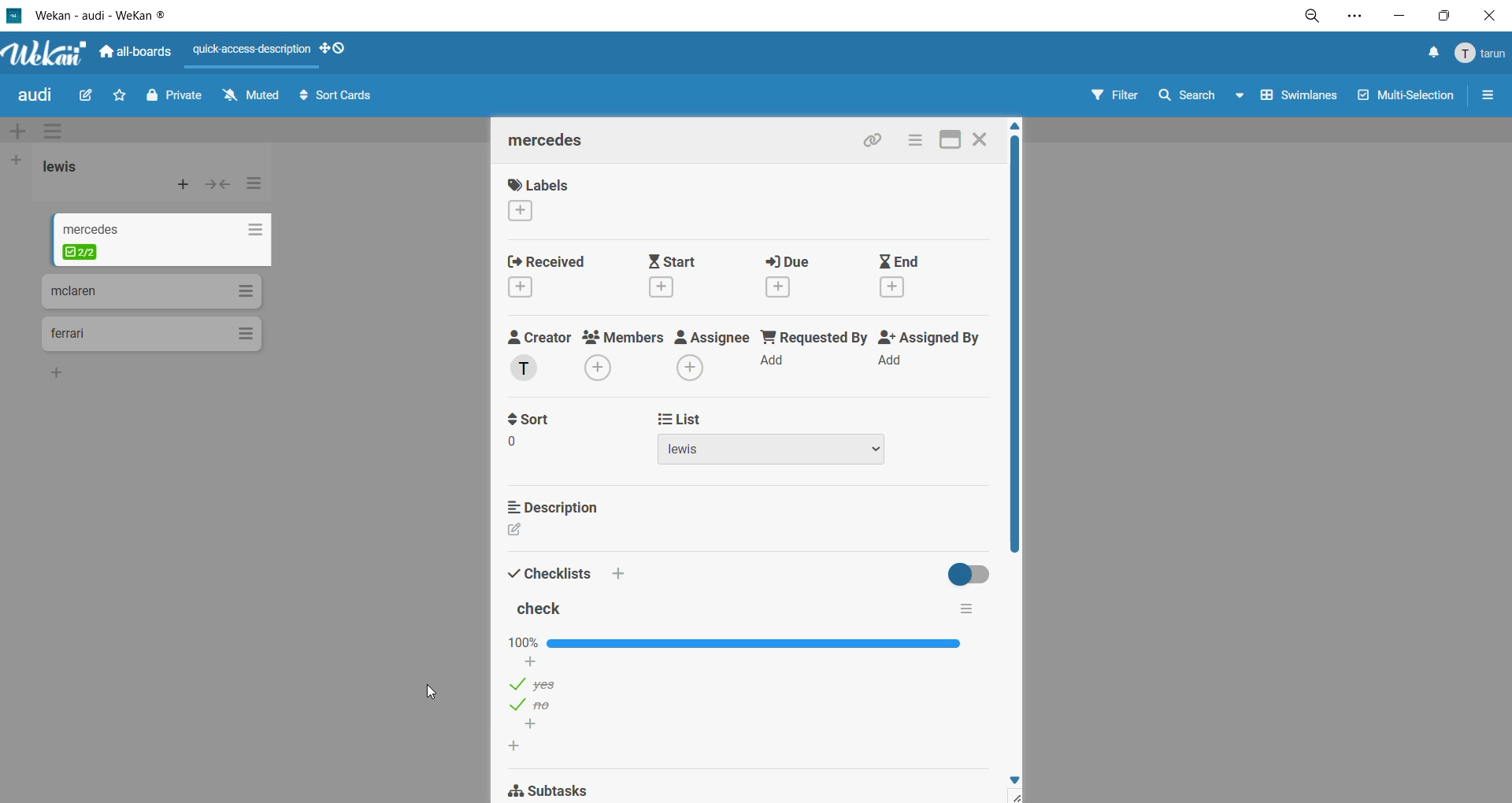 The height and width of the screenshot is (803, 1512). What do you see at coordinates (1489, 19) in the screenshot?
I see `close` at bounding box center [1489, 19].